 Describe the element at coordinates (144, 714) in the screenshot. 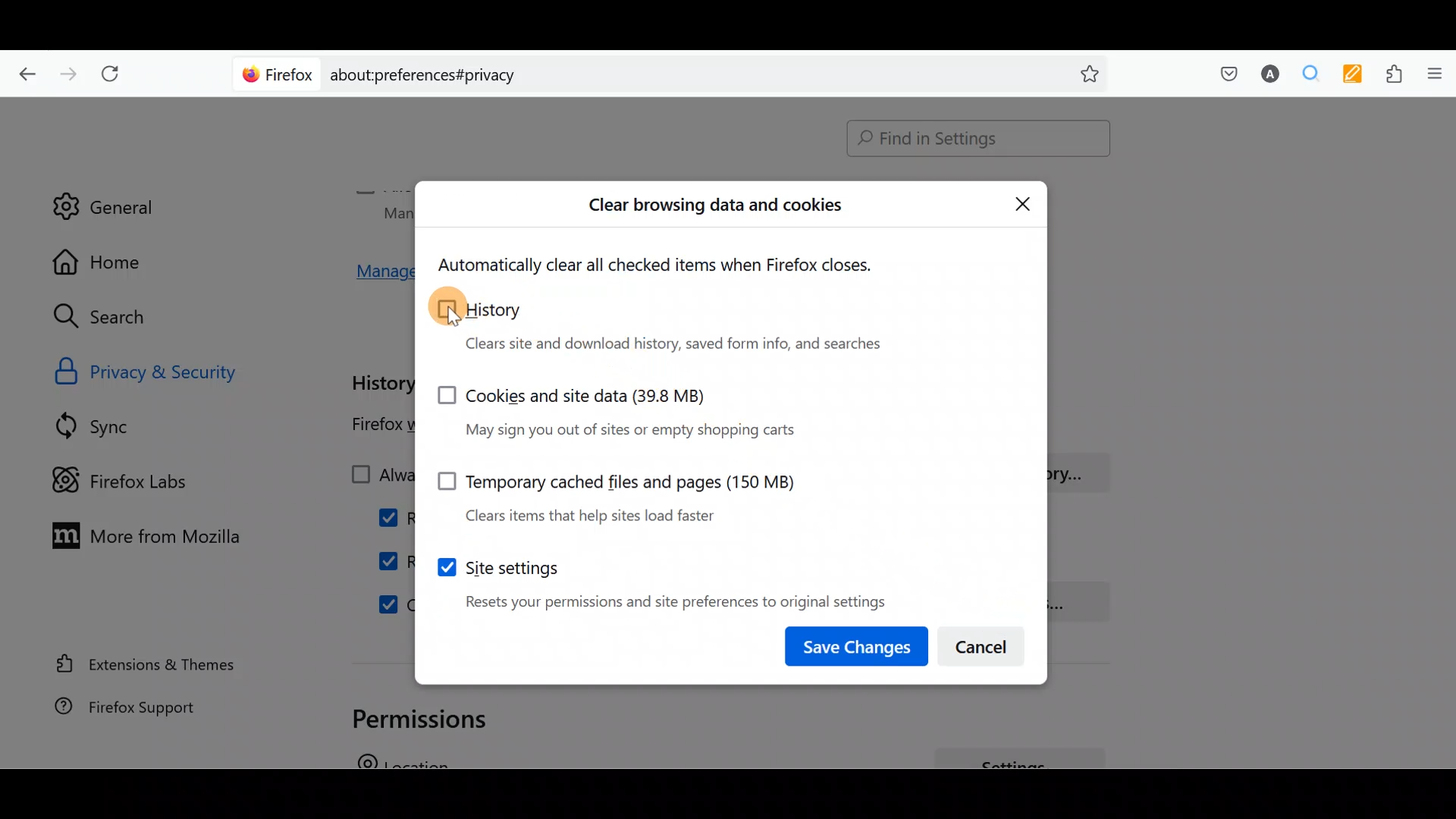

I see `Firefox support` at that location.